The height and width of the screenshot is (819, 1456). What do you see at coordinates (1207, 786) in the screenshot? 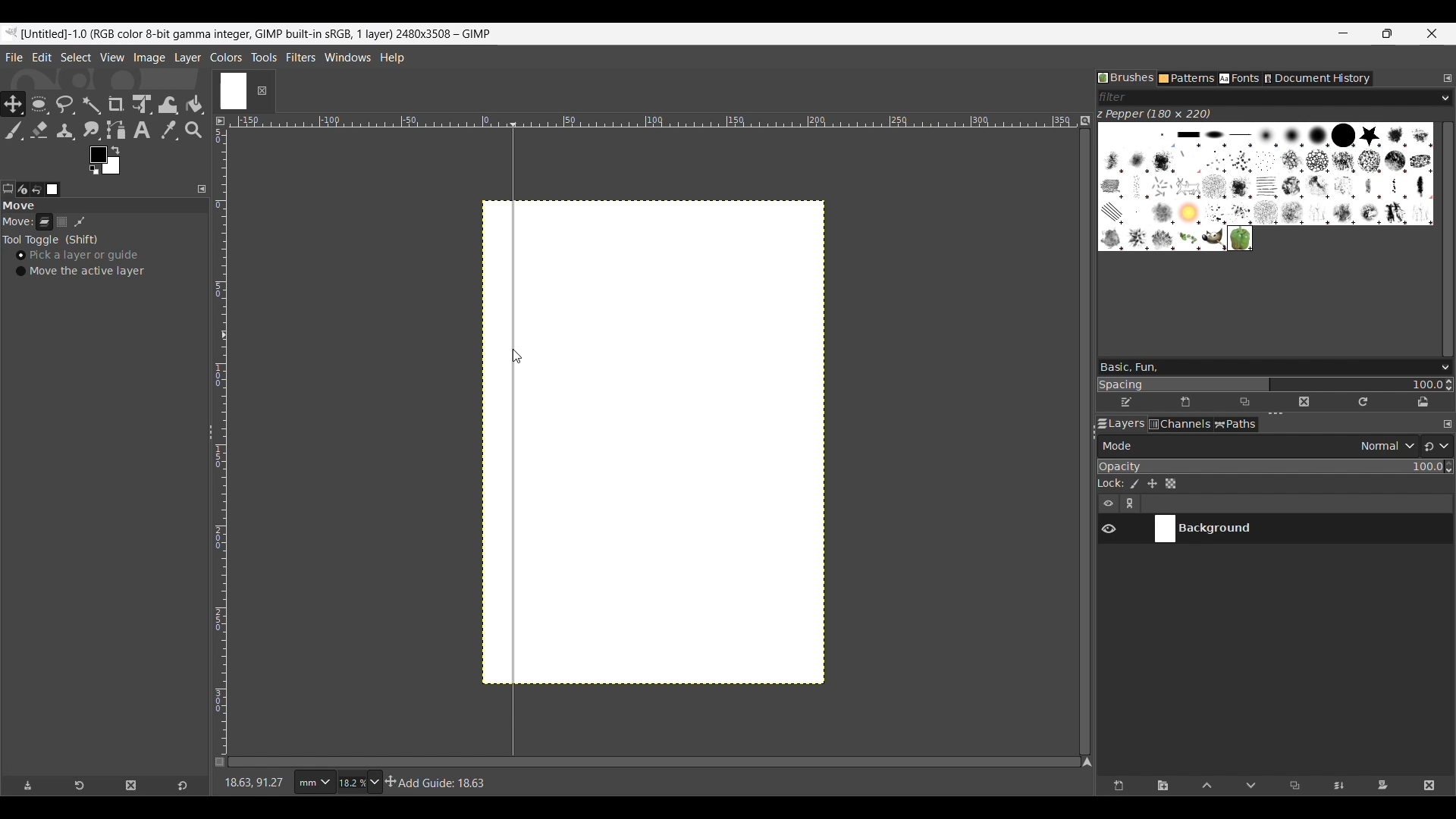
I see `Move layer one step up` at bounding box center [1207, 786].